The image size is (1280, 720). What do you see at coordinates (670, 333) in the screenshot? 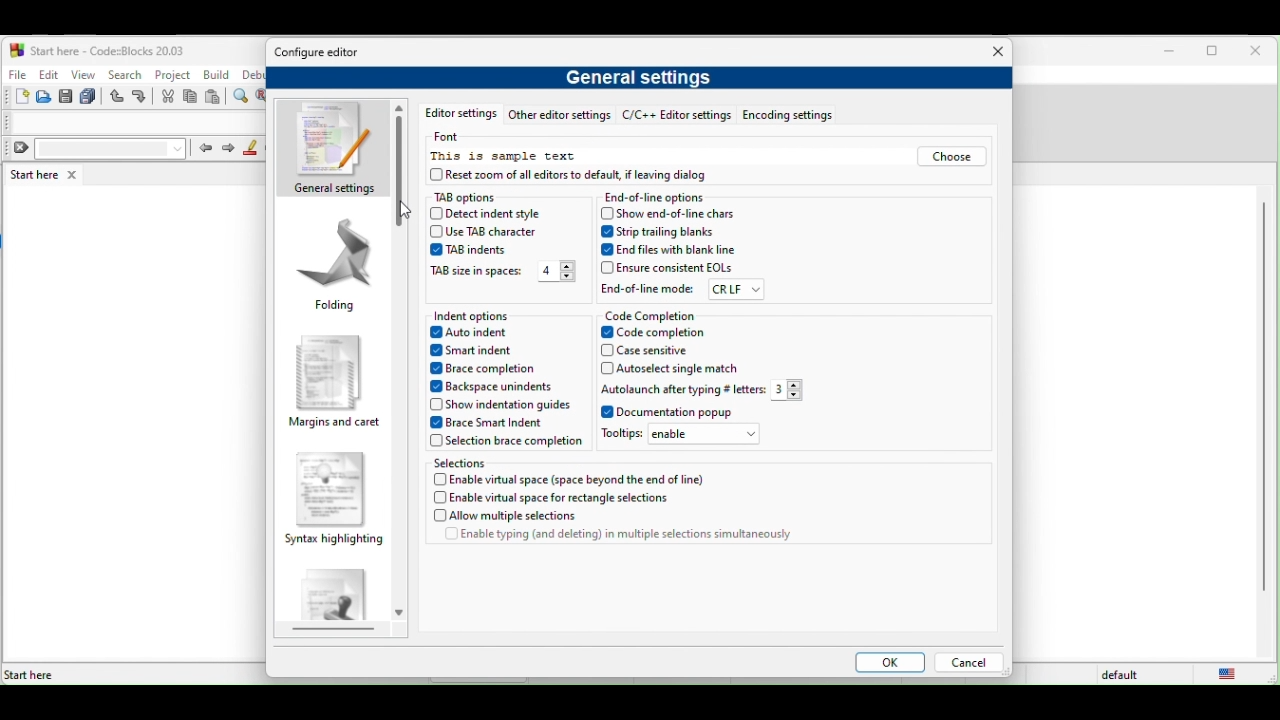
I see `code completion` at bounding box center [670, 333].